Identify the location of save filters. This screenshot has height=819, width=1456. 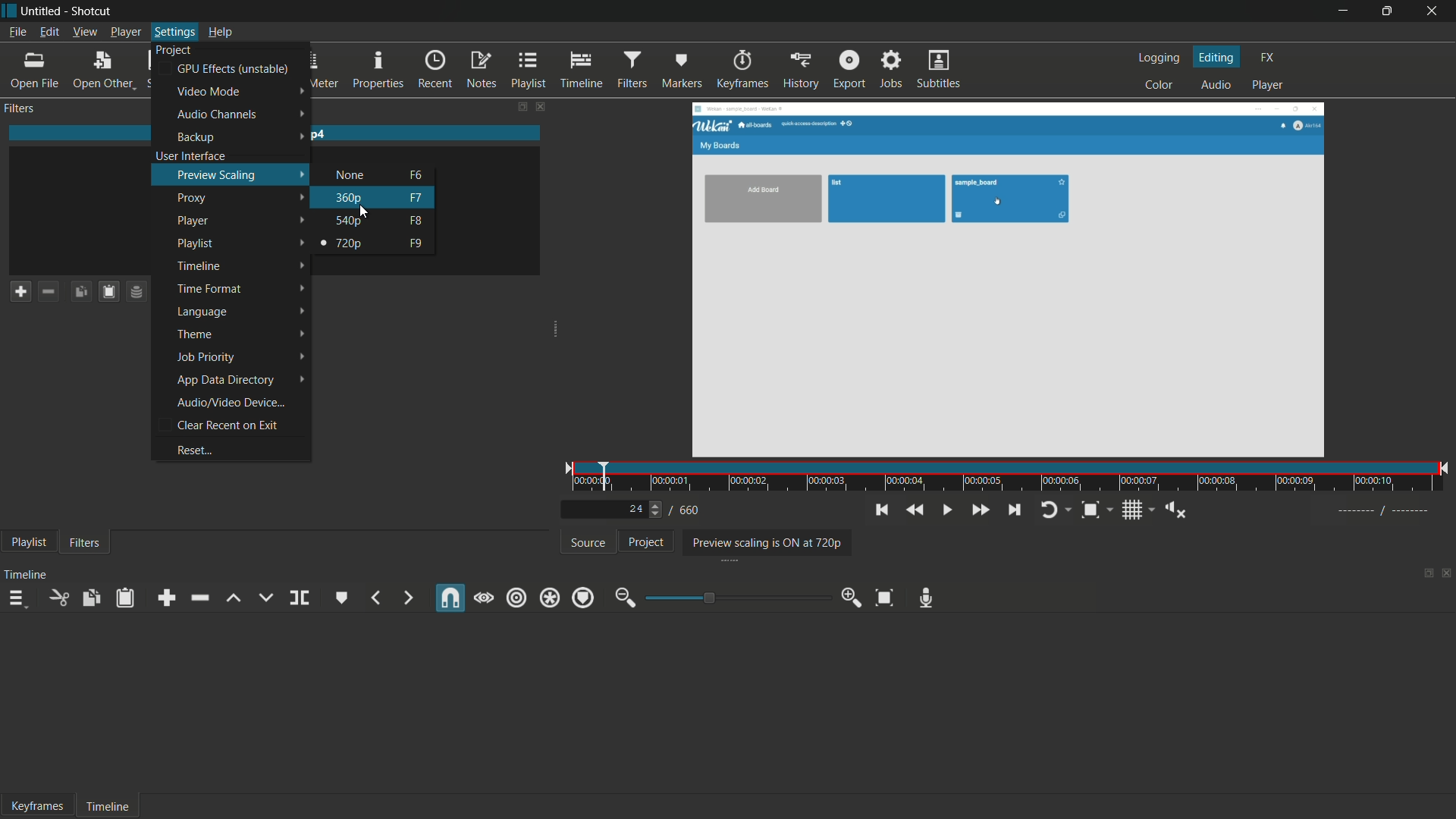
(105, 293).